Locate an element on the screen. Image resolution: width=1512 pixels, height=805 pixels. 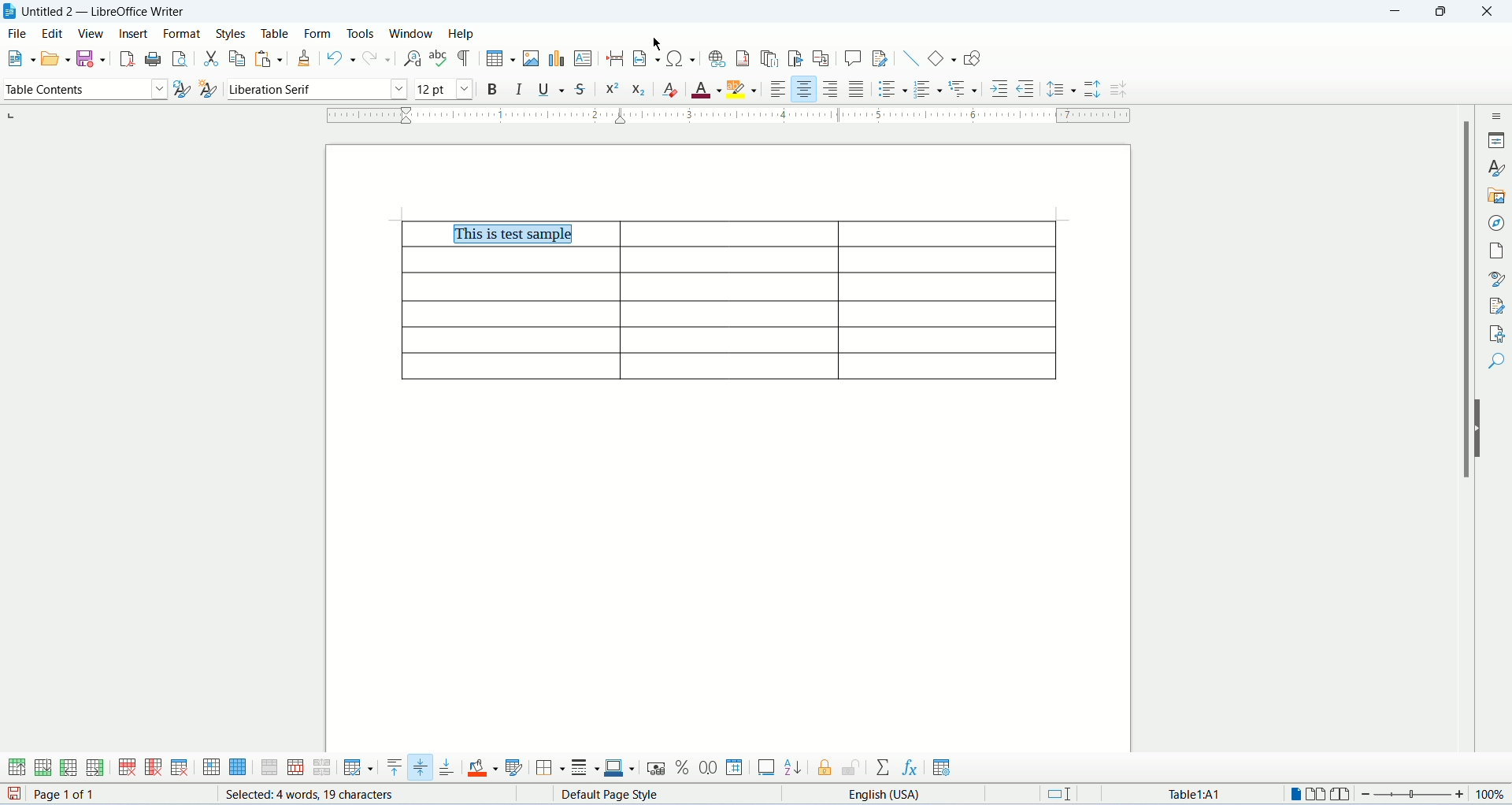
borders is located at coordinates (550, 767).